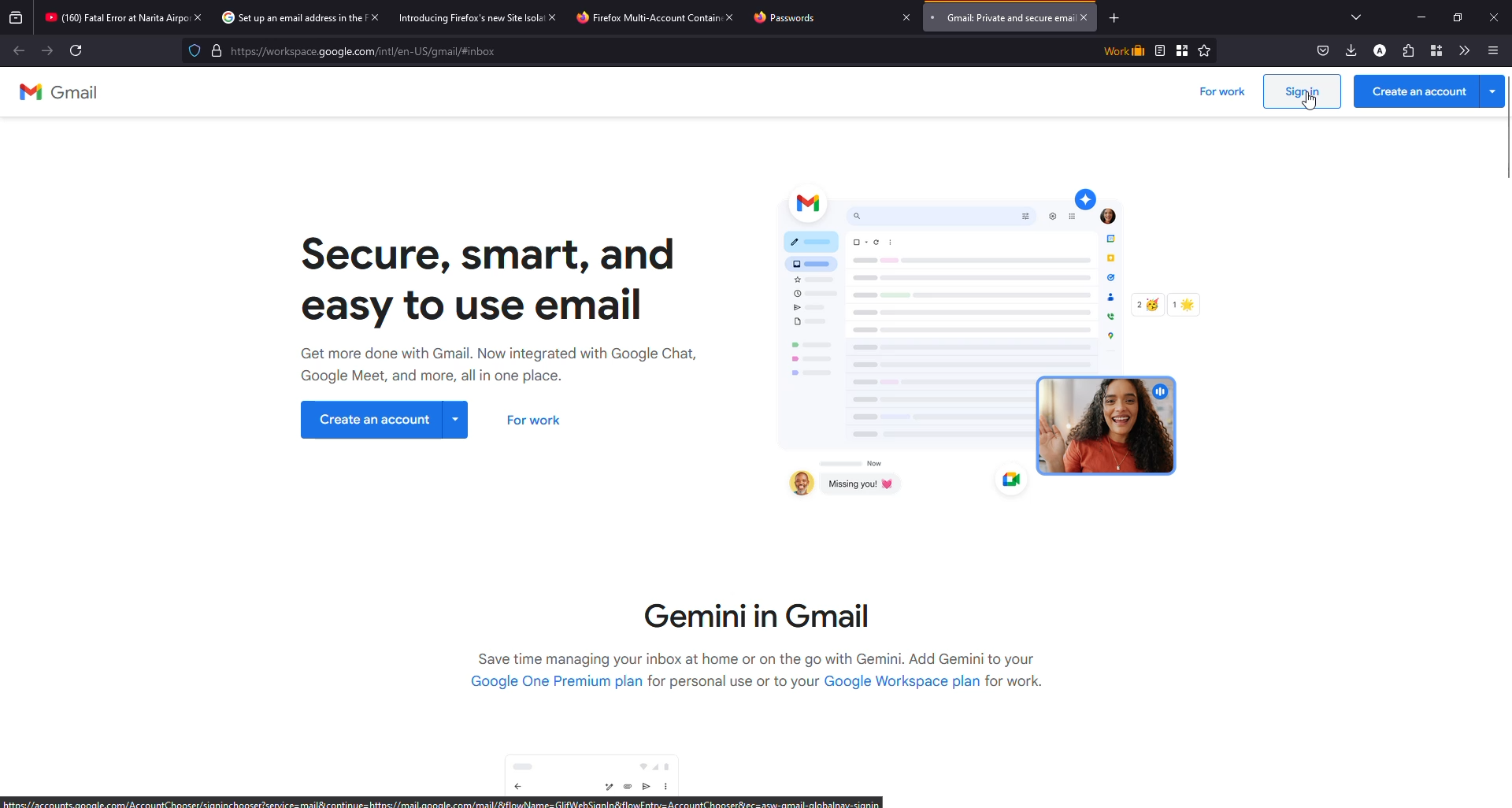 The width and height of the screenshot is (1512, 808). Describe the element at coordinates (997, 17) in the screenshot. I see `Gmail: Private and secure ` at that location.